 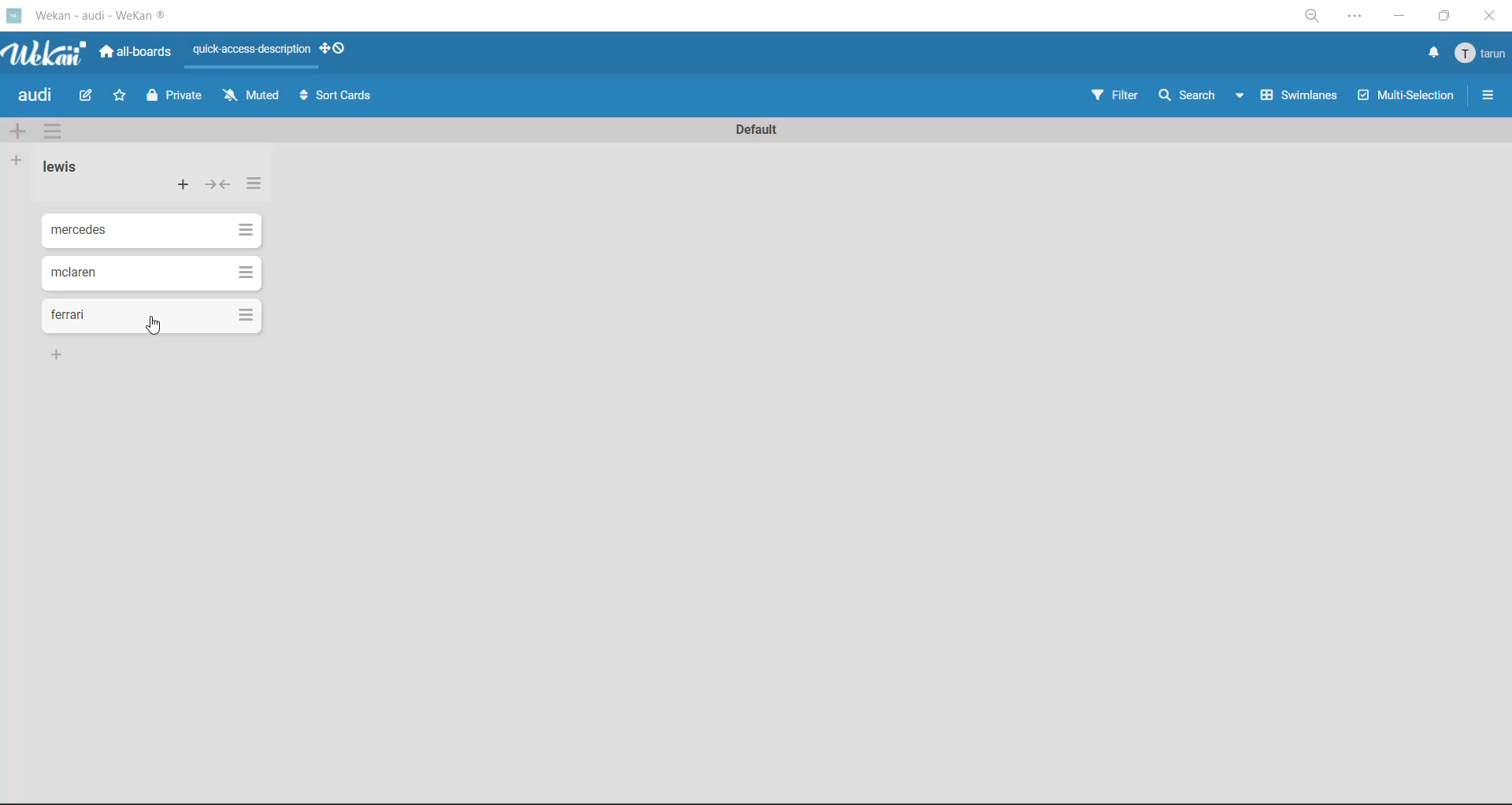 I want to click on cards, so click(x=147, y=231).